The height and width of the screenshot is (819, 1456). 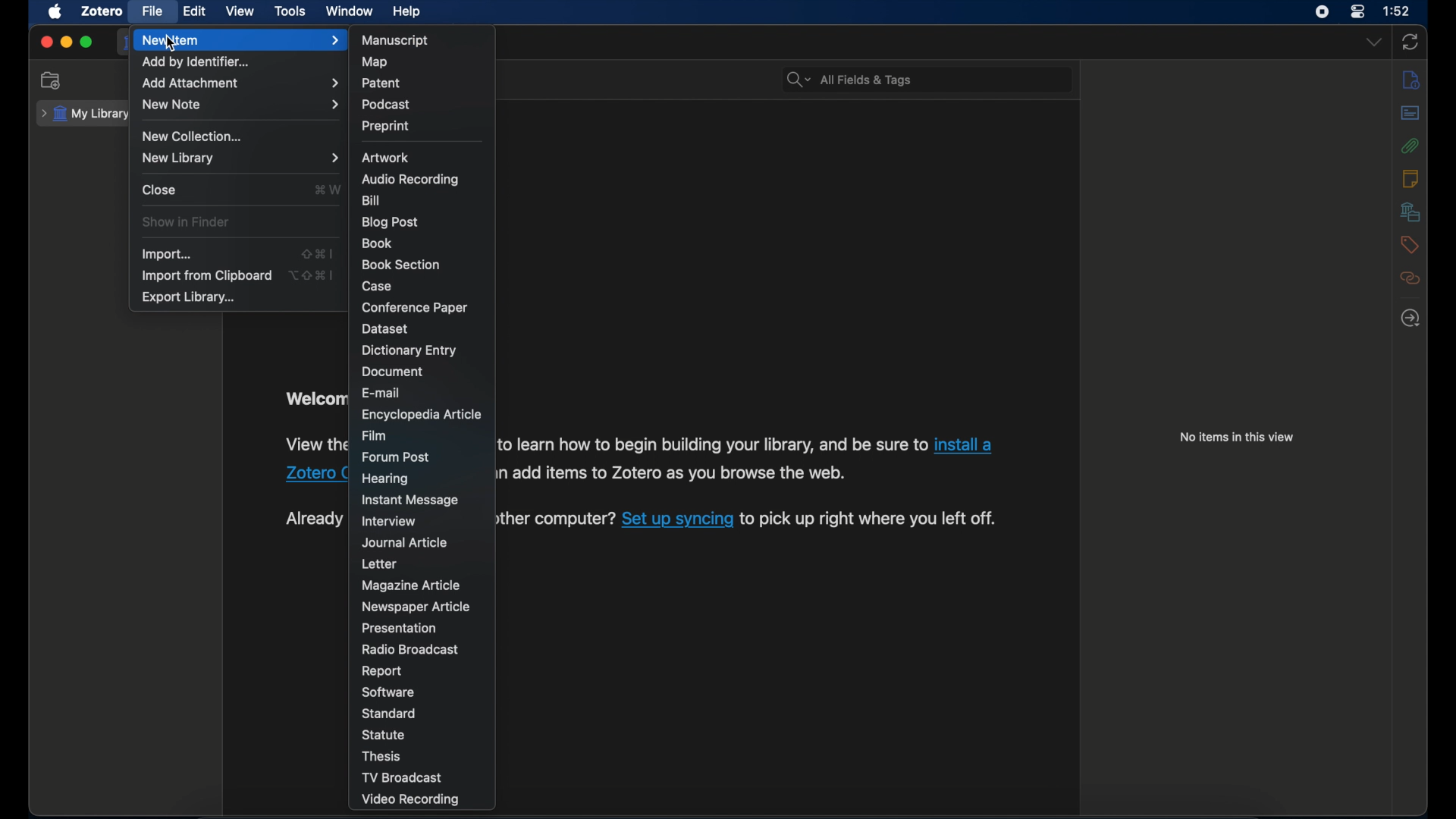 What do you see at coordinates (1357, 12) in the screenshot?
I see `control center` at bounding box center [1357, 12].